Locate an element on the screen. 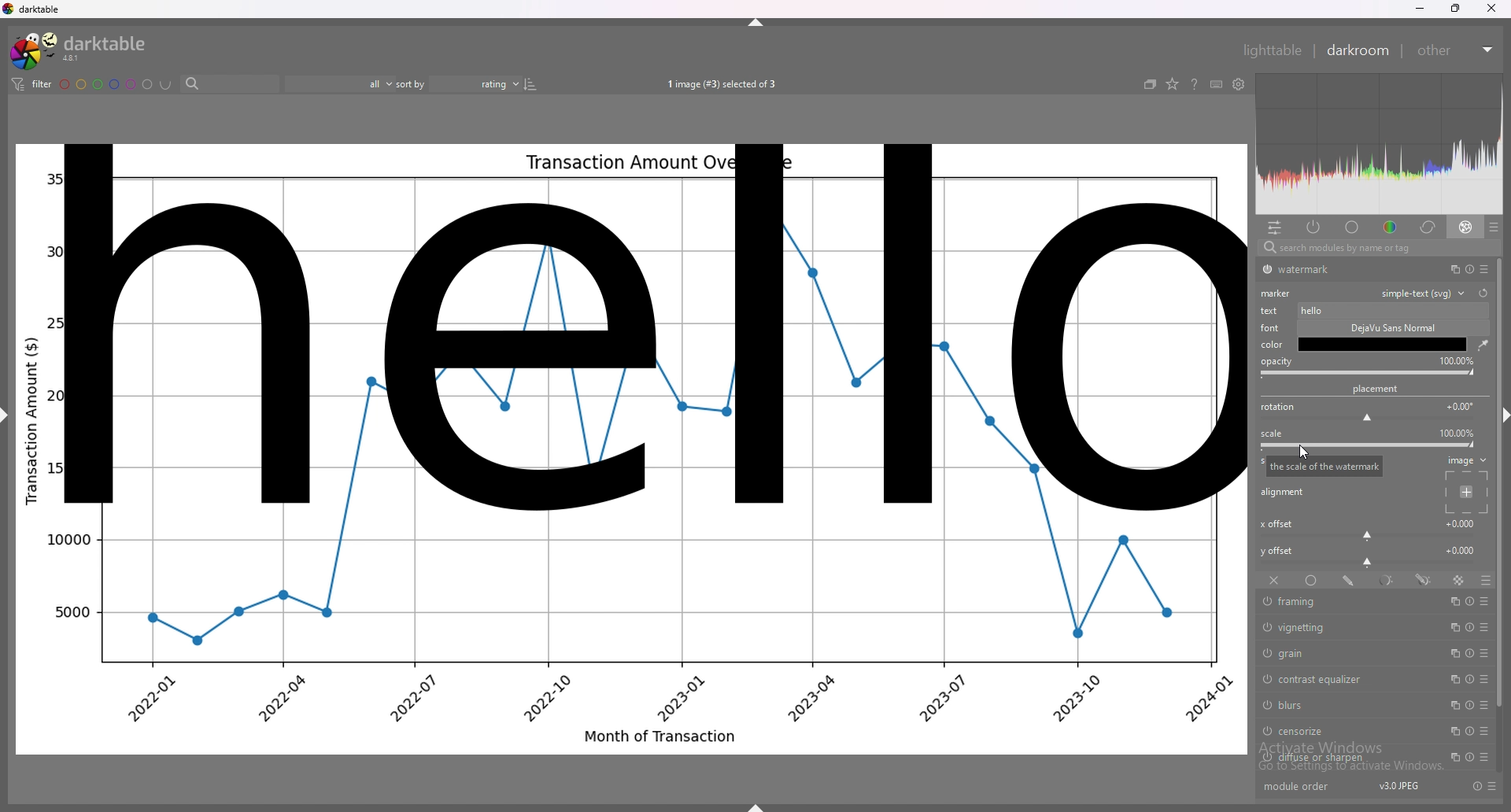  correct is located at coordinates (1426, 227).